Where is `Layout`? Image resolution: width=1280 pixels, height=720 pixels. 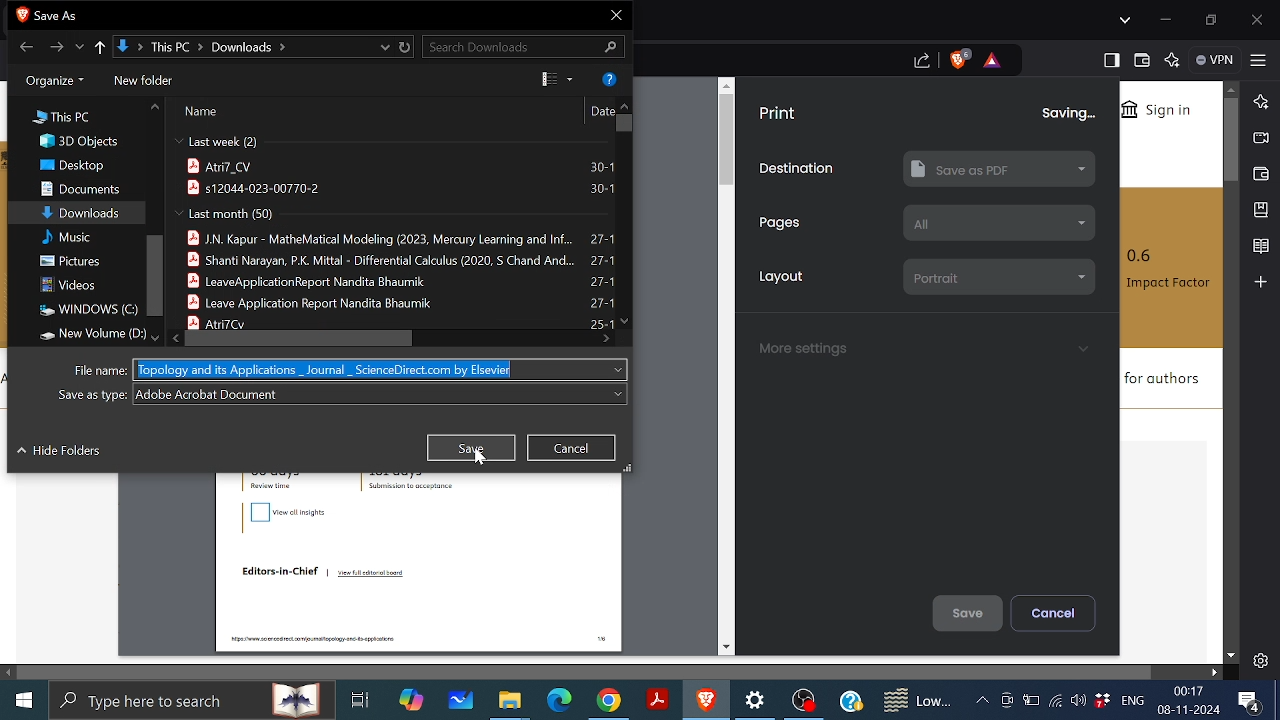
Layout is located at coordinates (782, 280).